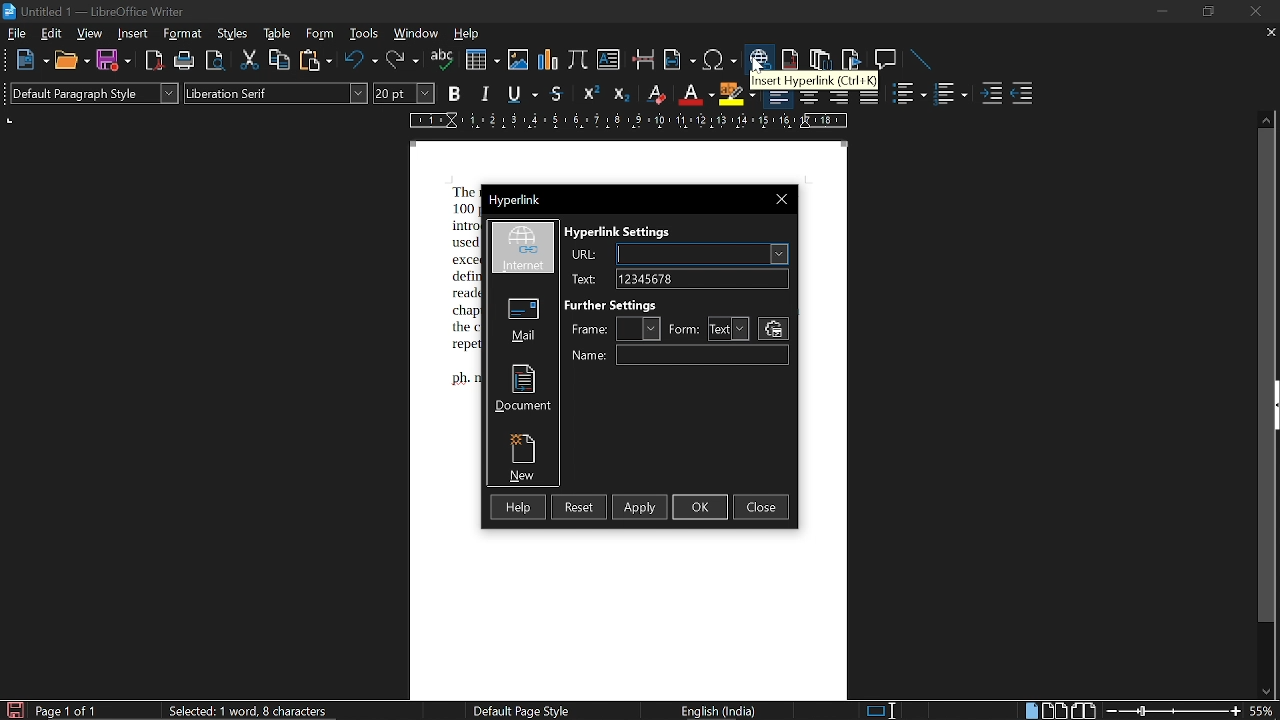 The image size is (1280, 720). Describe the element at coordinates (616, 231) in the screenshot. I see `hyperlink settings` at that location.